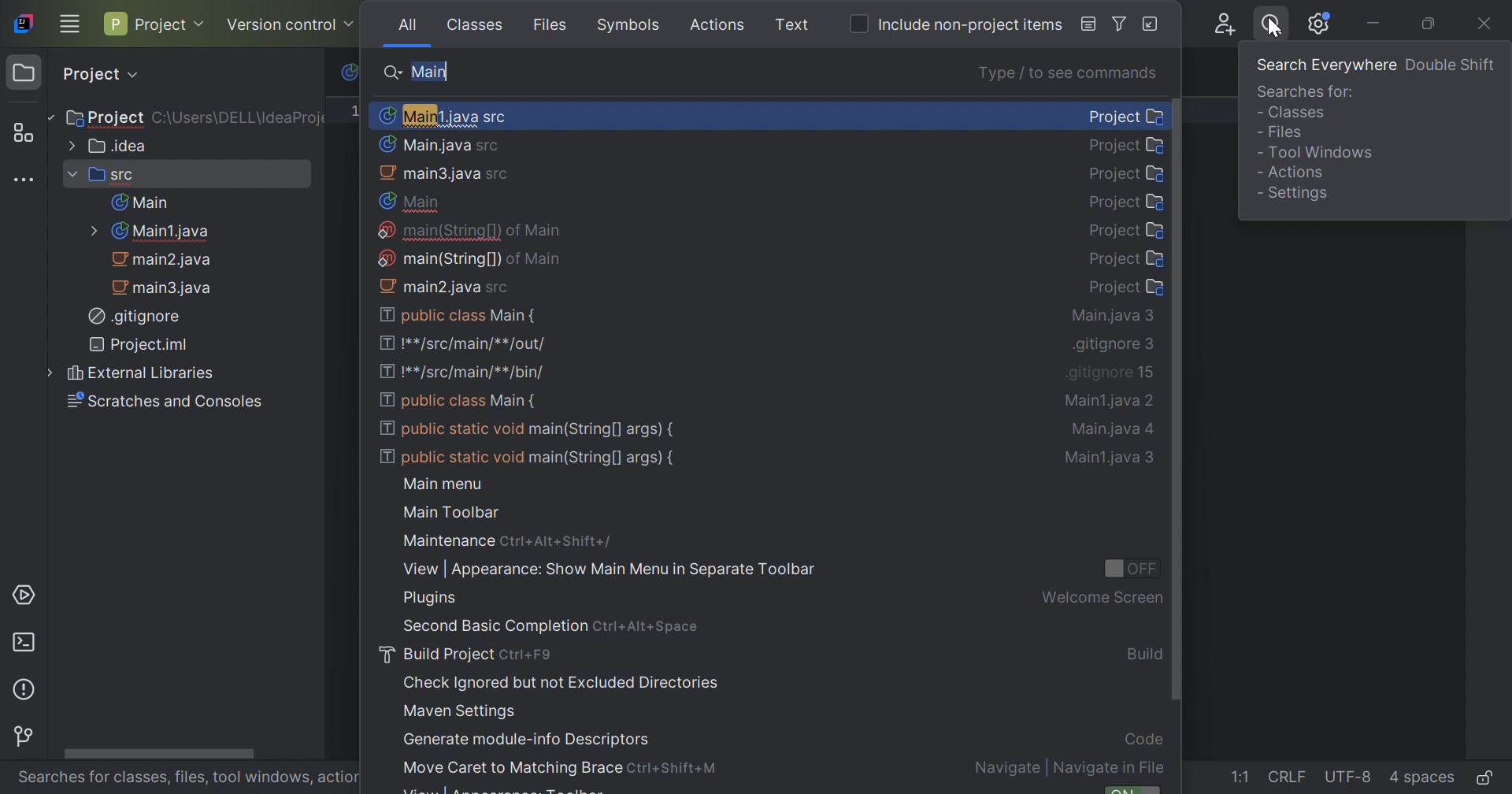 This screenshot has width=1512, height=794. I want to click on Ctrl+Alt+Shift+/, so click(561, 542).